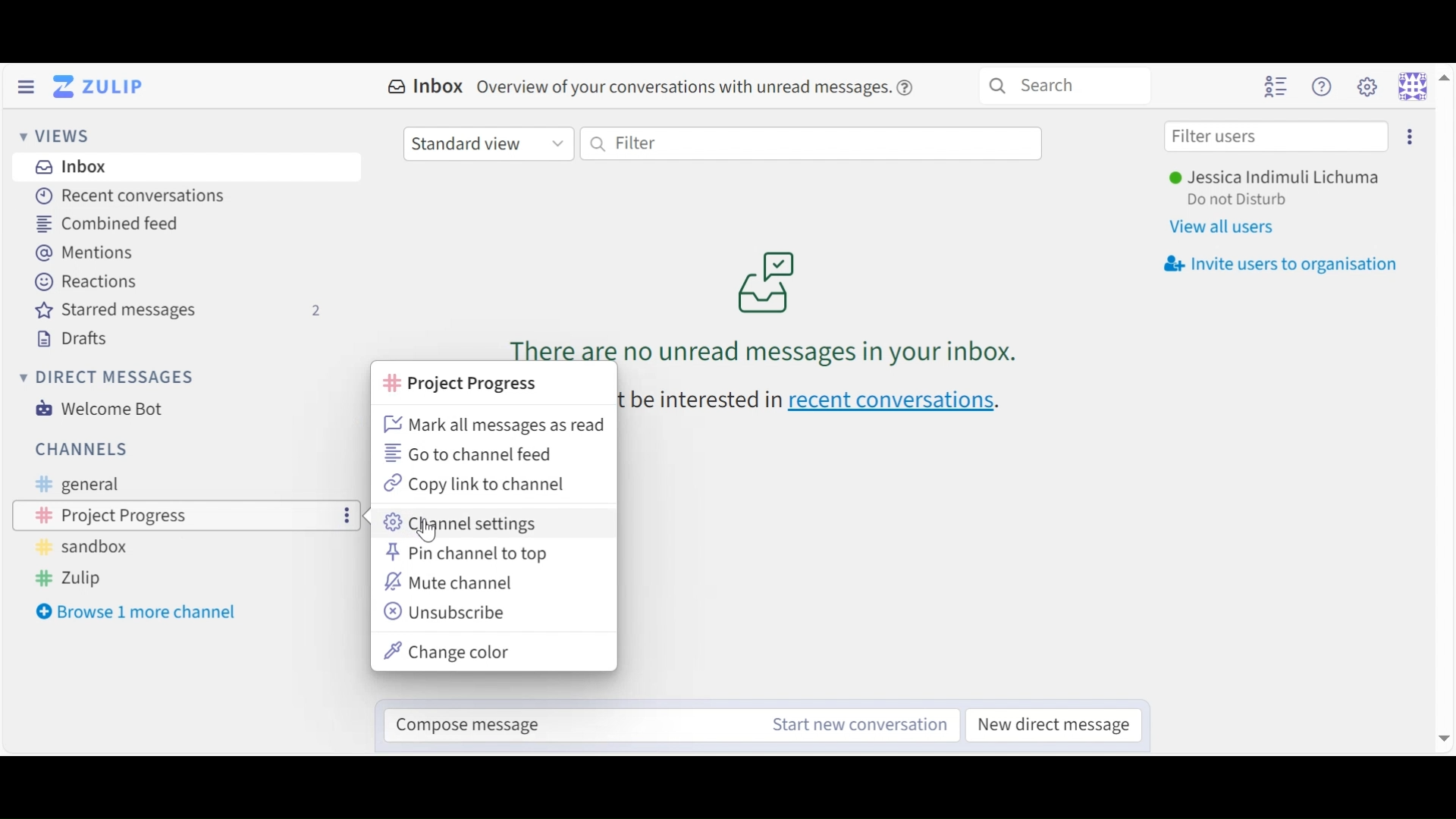 Image resolution: width=1456 pixels, height=819 pixels. I want to click on Help menu, so click(1322, 86).